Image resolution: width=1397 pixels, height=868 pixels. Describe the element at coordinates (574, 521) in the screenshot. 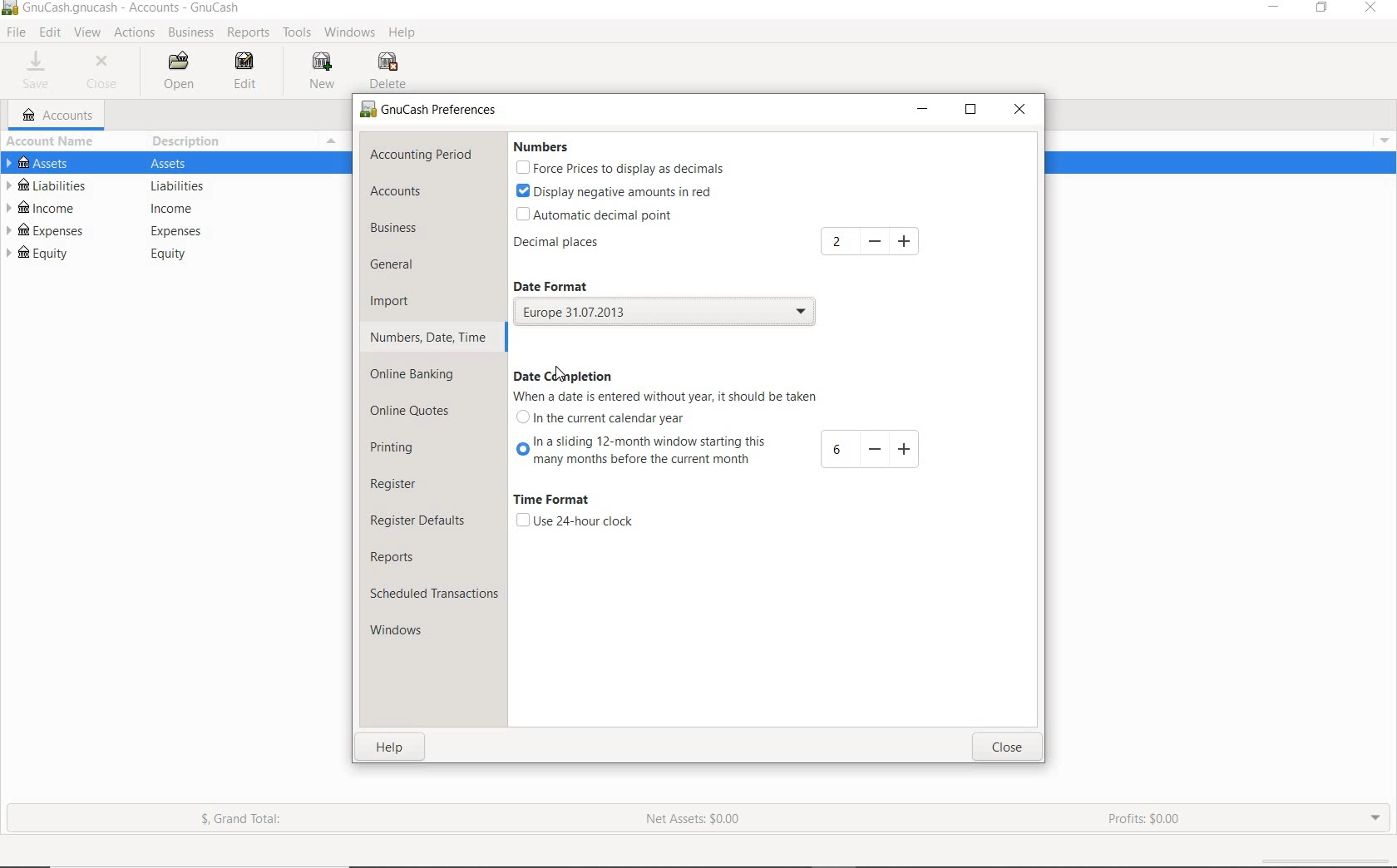

I see `use 24-hour clock` at that location.